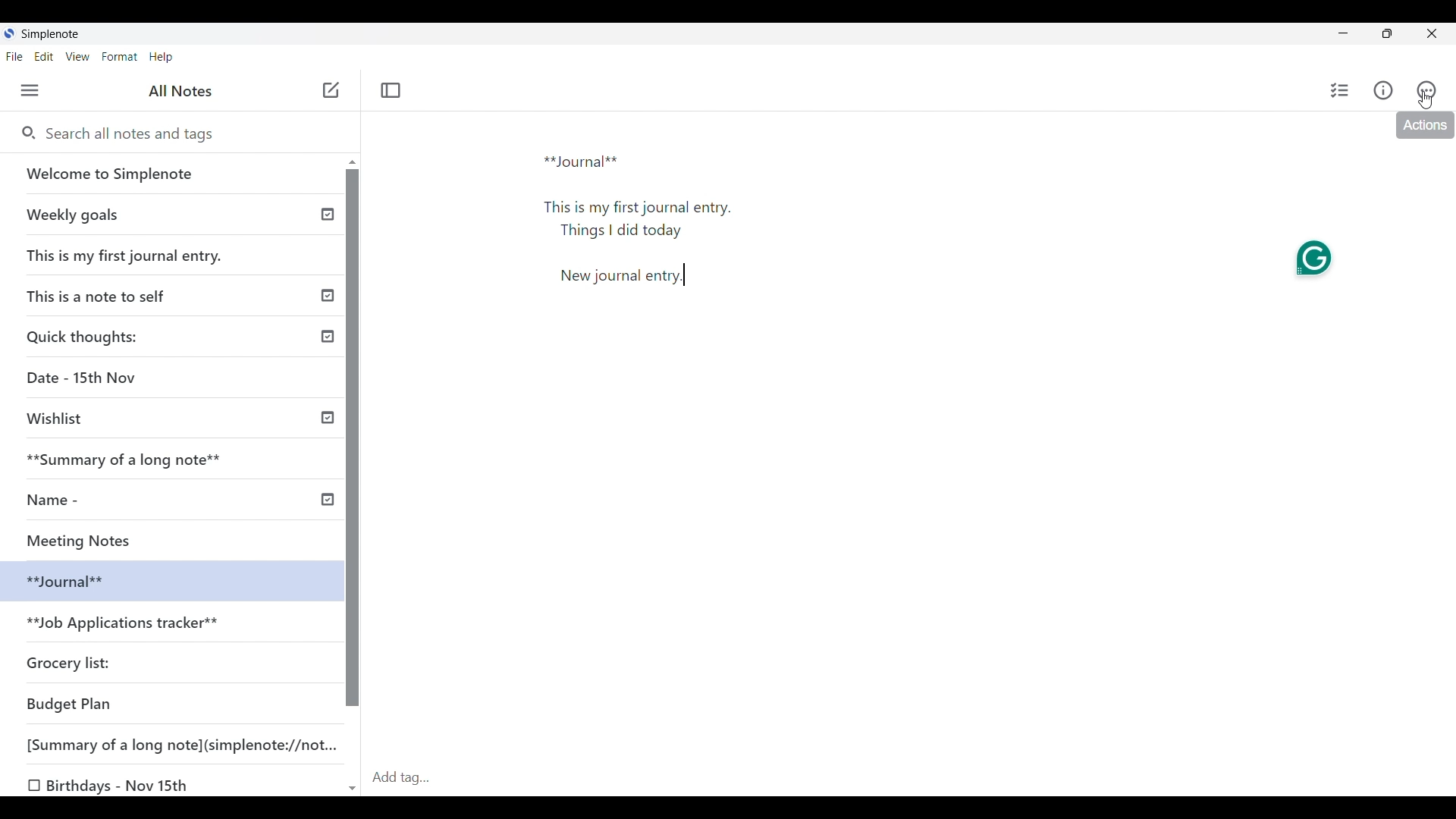 Image resolution: width=1456 pixels, height=819 pixels. What do you see at coordinates (58, 500) in the screenshot?
I see `Name -` at bounding box center [58, 500].